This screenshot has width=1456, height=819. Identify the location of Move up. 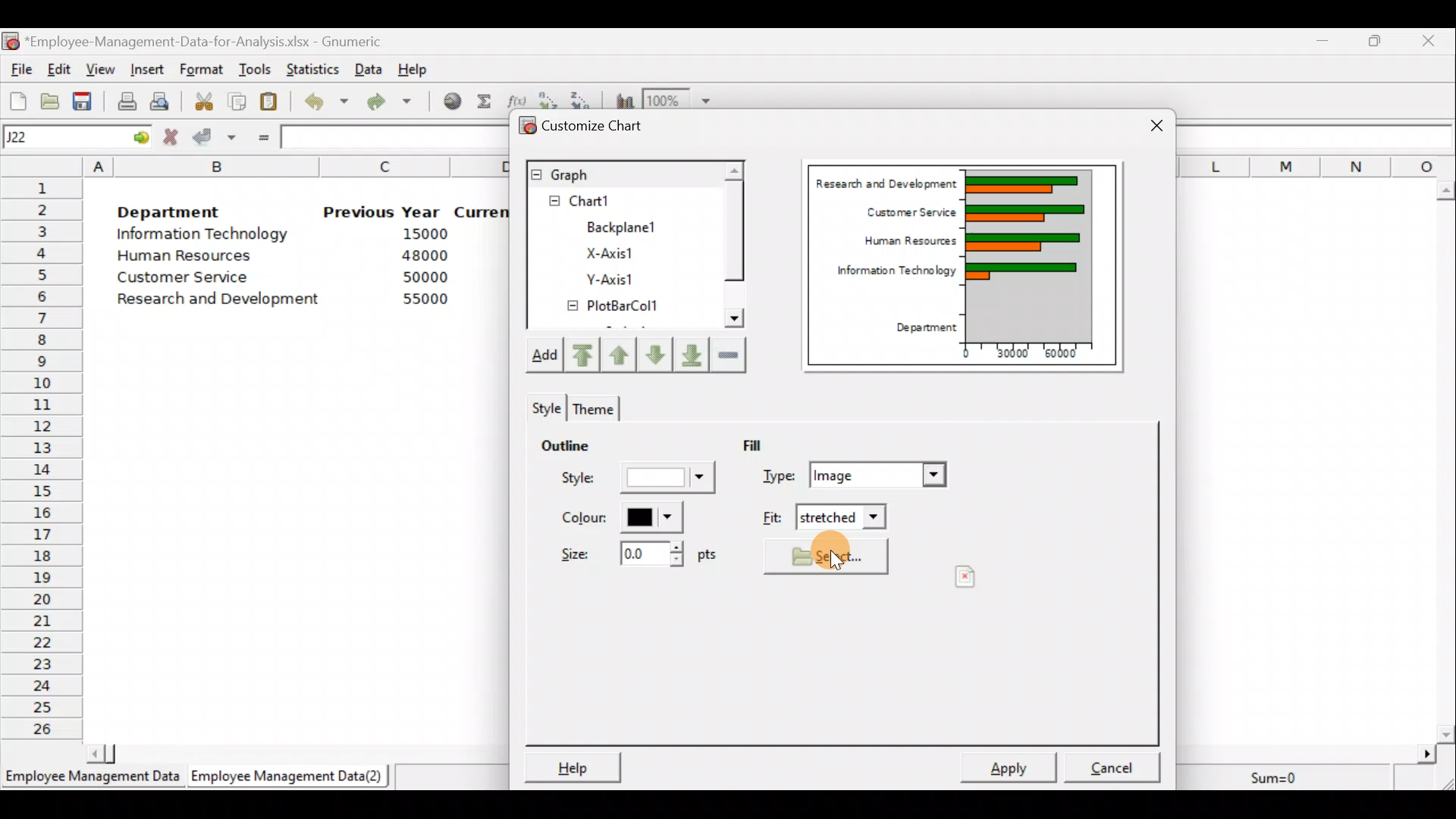
(620, 353).